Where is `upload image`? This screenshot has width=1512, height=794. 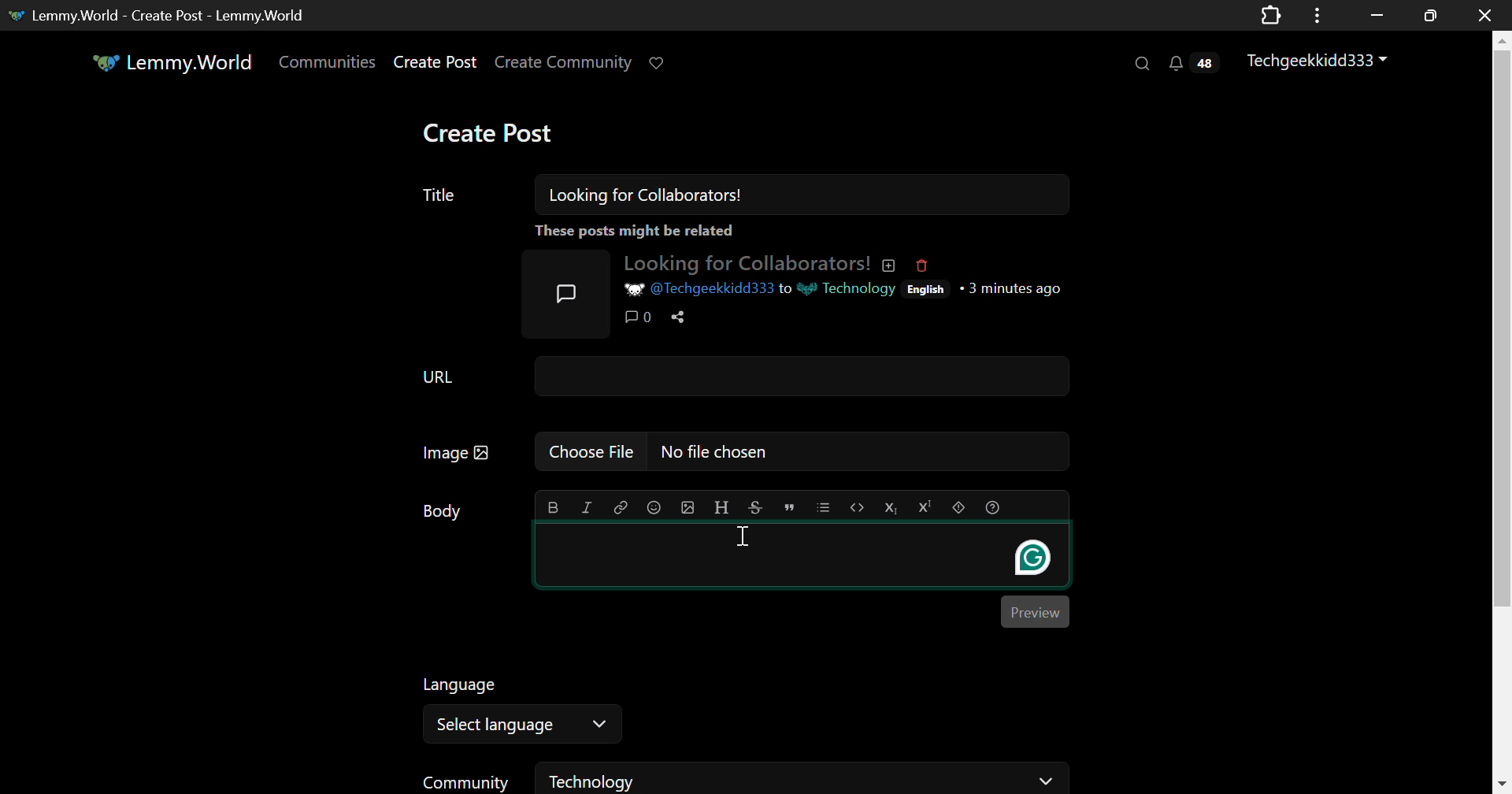
upload image is located at coordinates (689, 508).